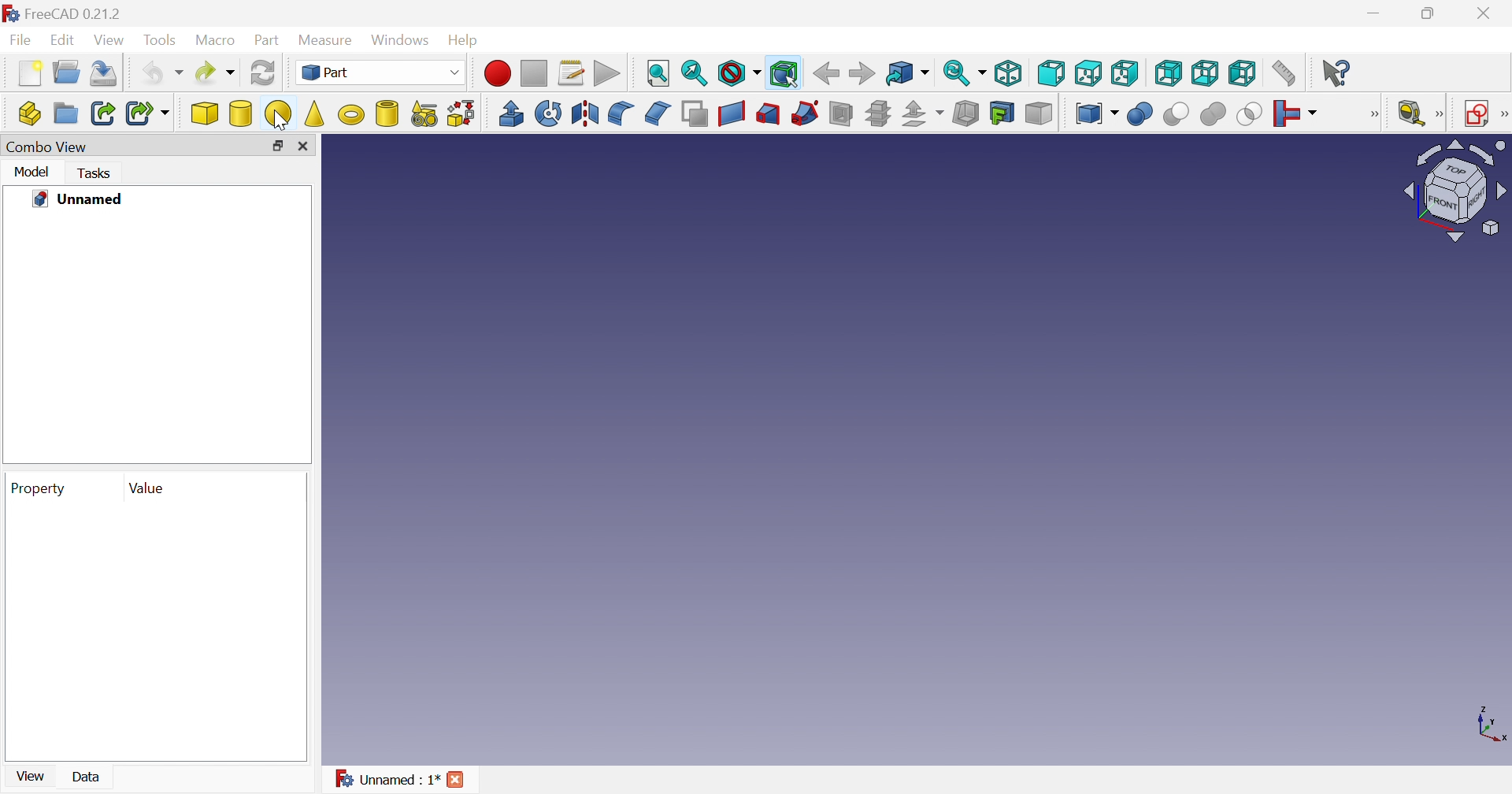 This screenshot has height=794, width=1512. I want to click on Thickness..., so click(965, 113).